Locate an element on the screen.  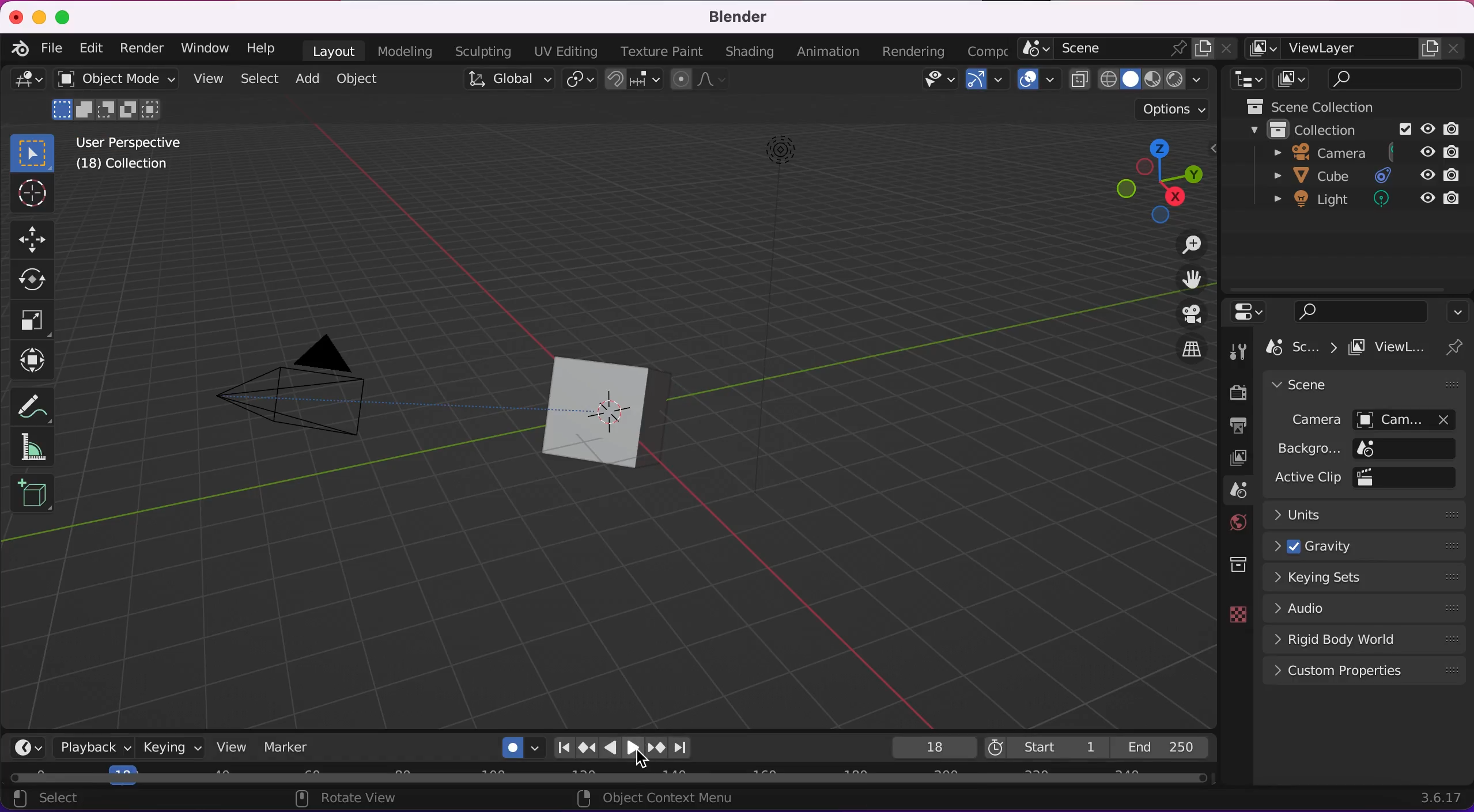
options is located at coordinates (1171, 109).